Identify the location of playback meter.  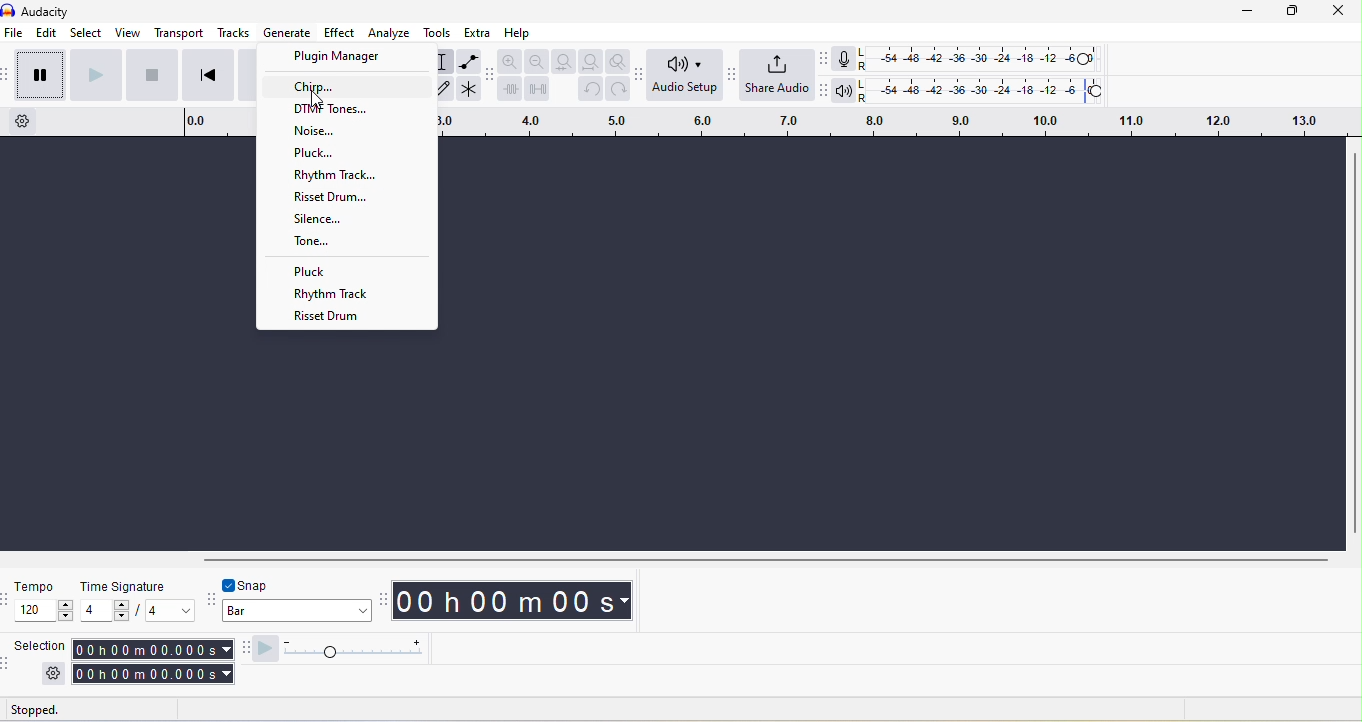
(847, 91).